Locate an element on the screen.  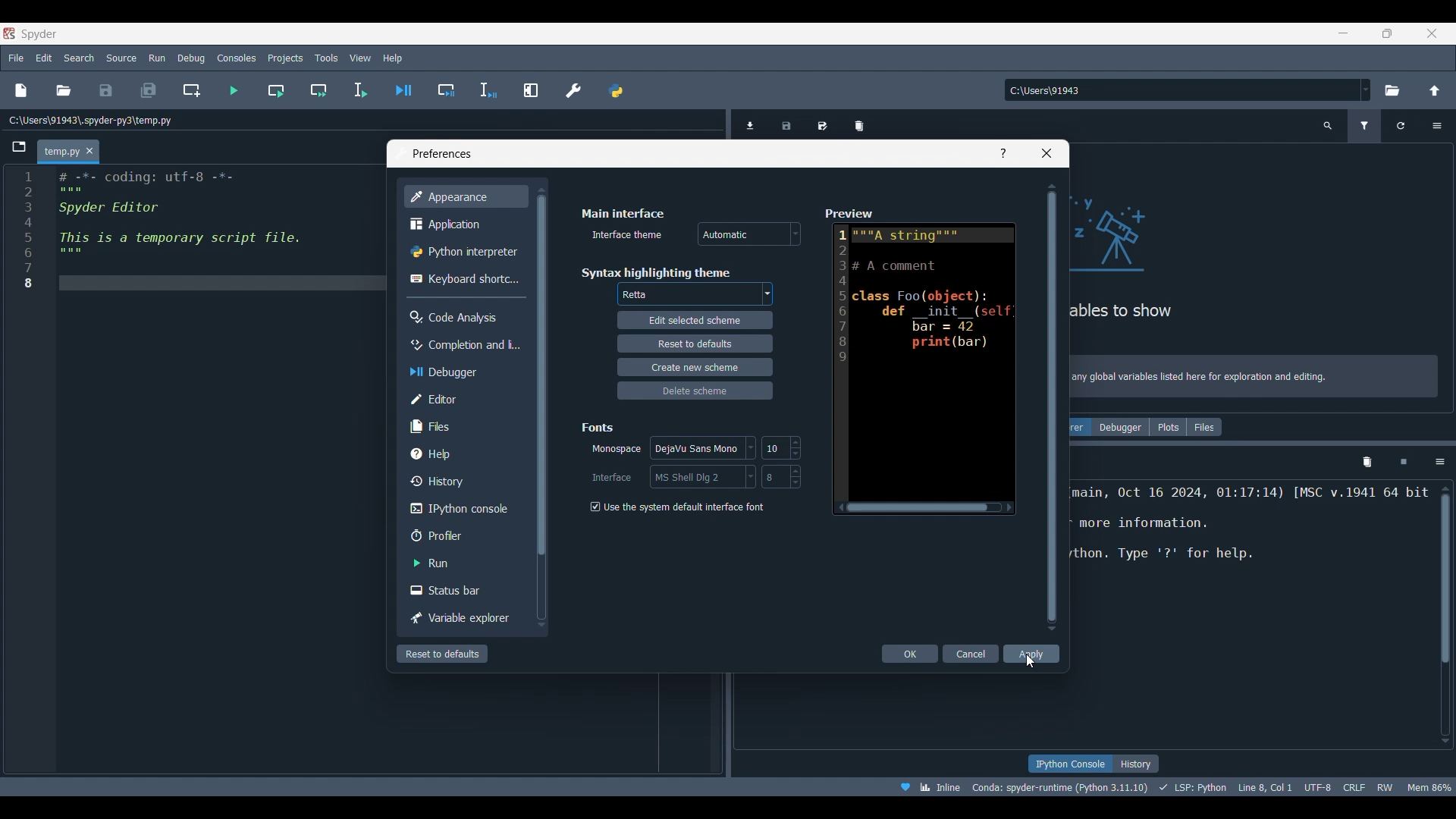
programming language is located at coordinates (1195, 786).